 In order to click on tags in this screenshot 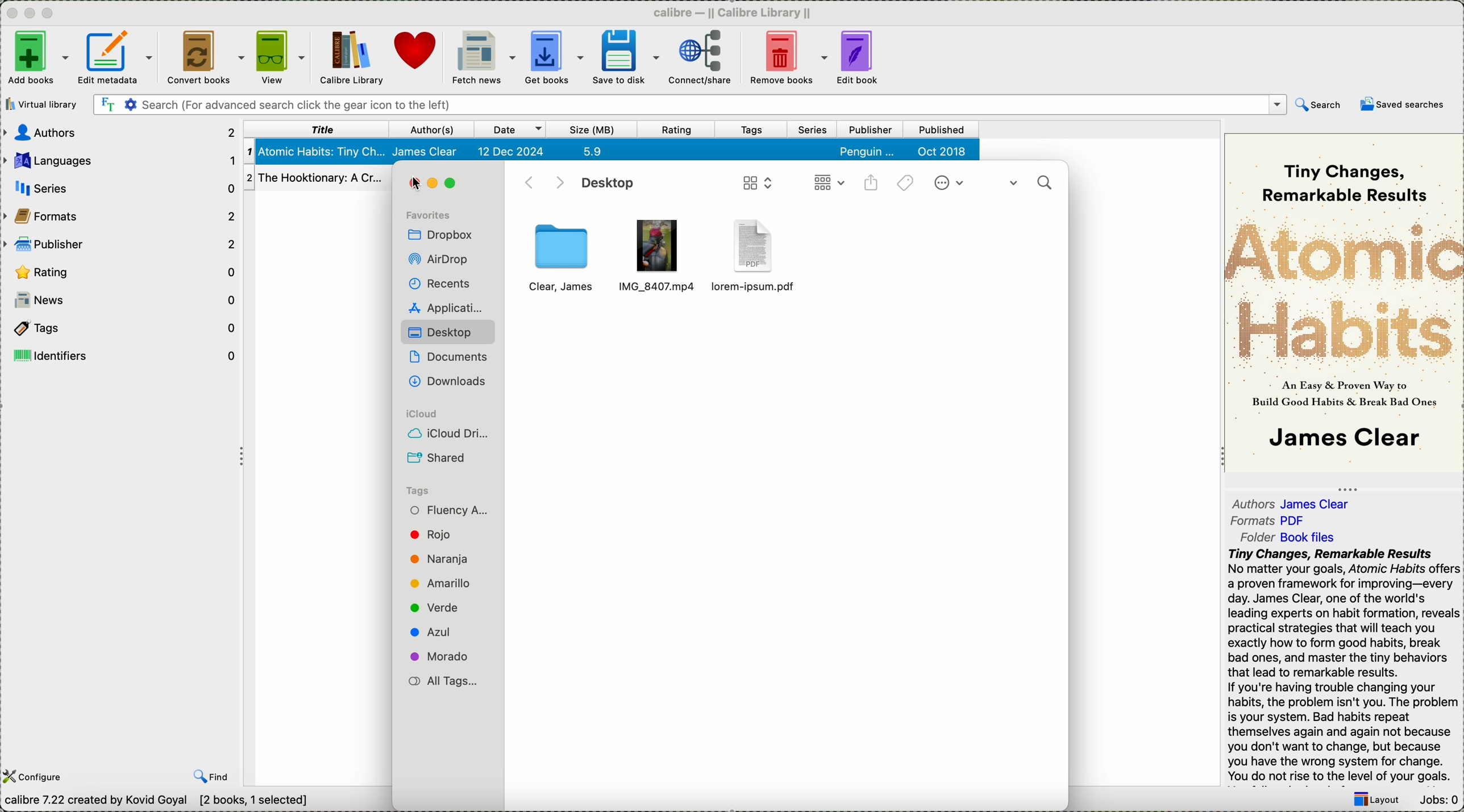, I will do `click(120, 327)`.